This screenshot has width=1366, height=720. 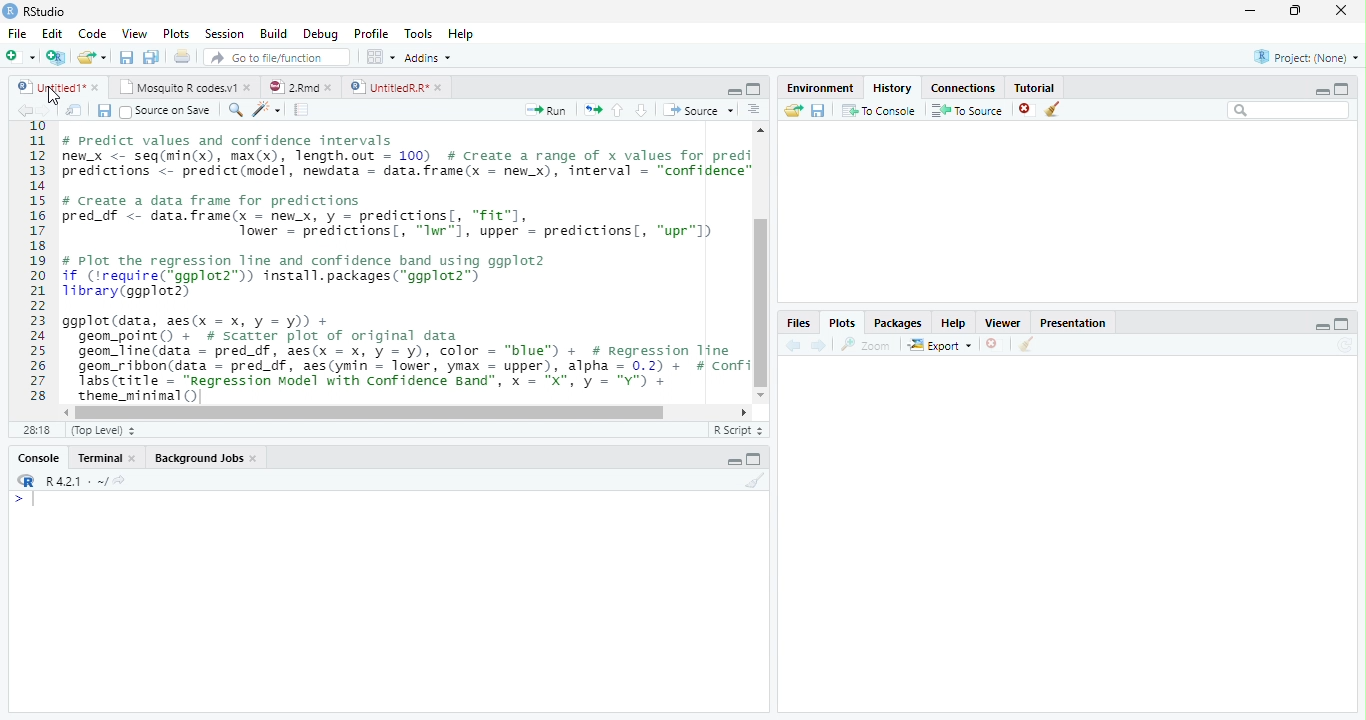 What do you see at coordinates (93, 34) in the screenshot?
I see `Code` at bounding box center [93, 34].